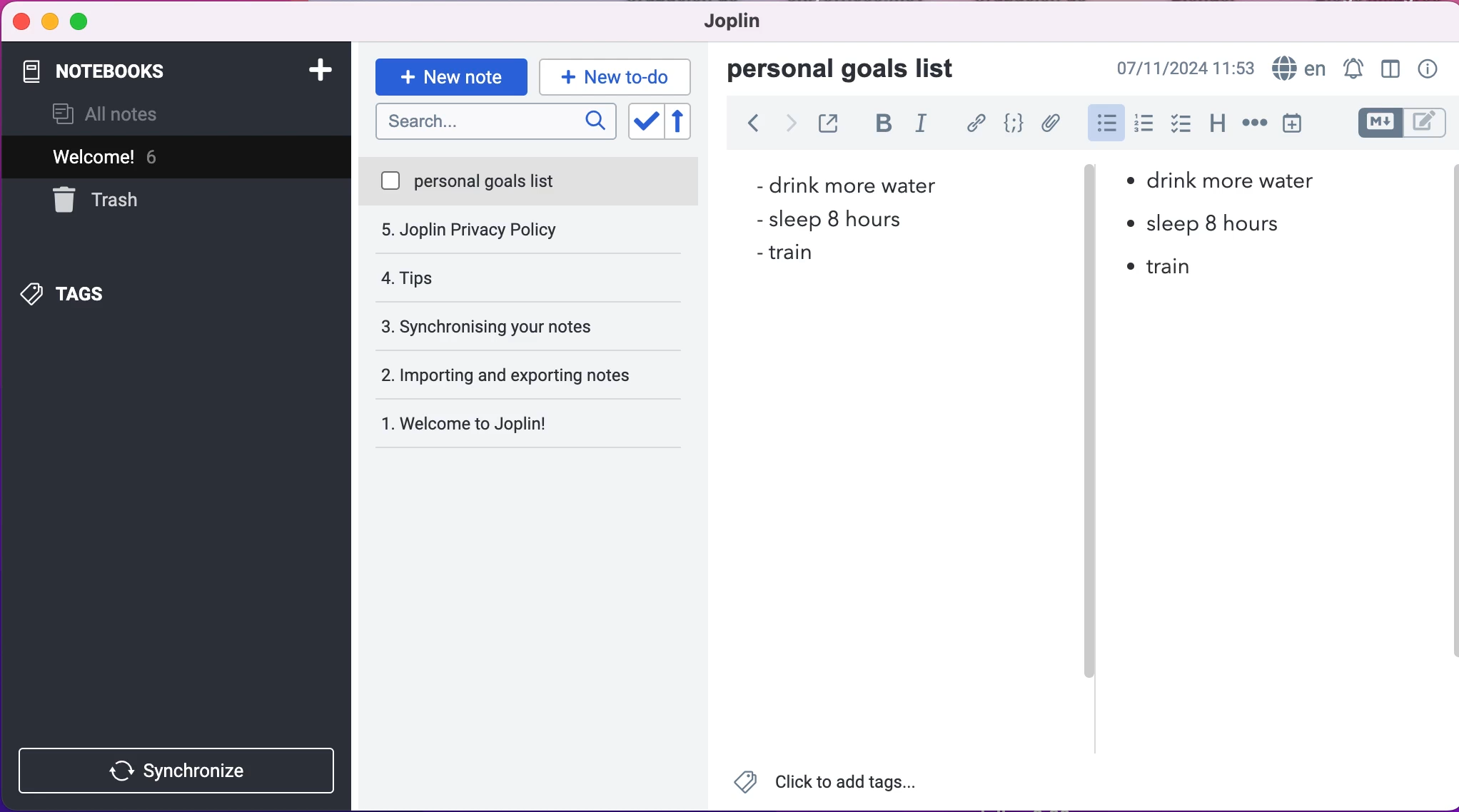 Image resolution: width=1459 pixels, height=812 pixels. What do you see at coordinates (1232, 178) in the screenshot?
I see `Drink more water` at bounding box center [1232, 178].